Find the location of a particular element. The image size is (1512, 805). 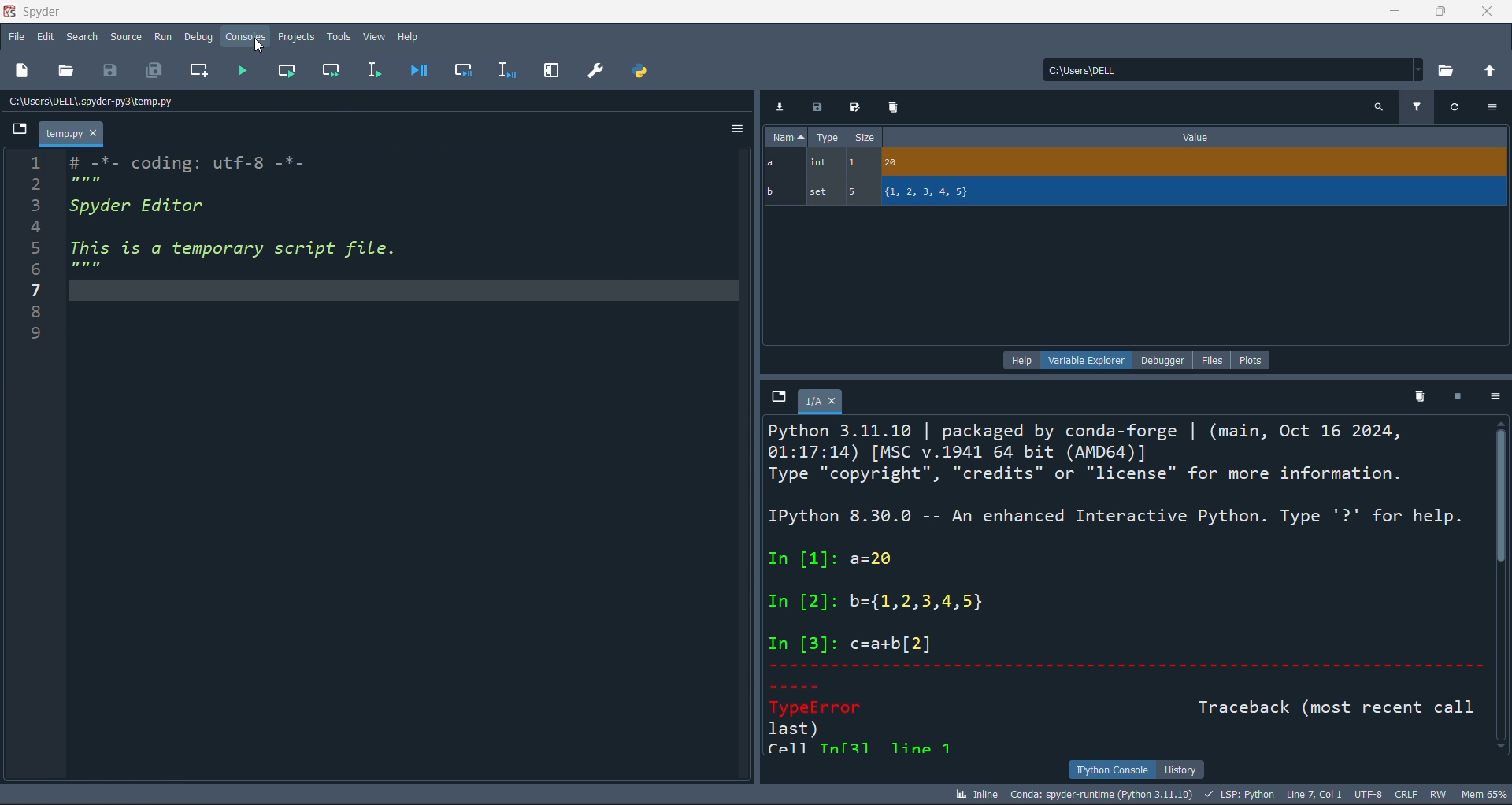

files is located at coordinates (1210, 360).